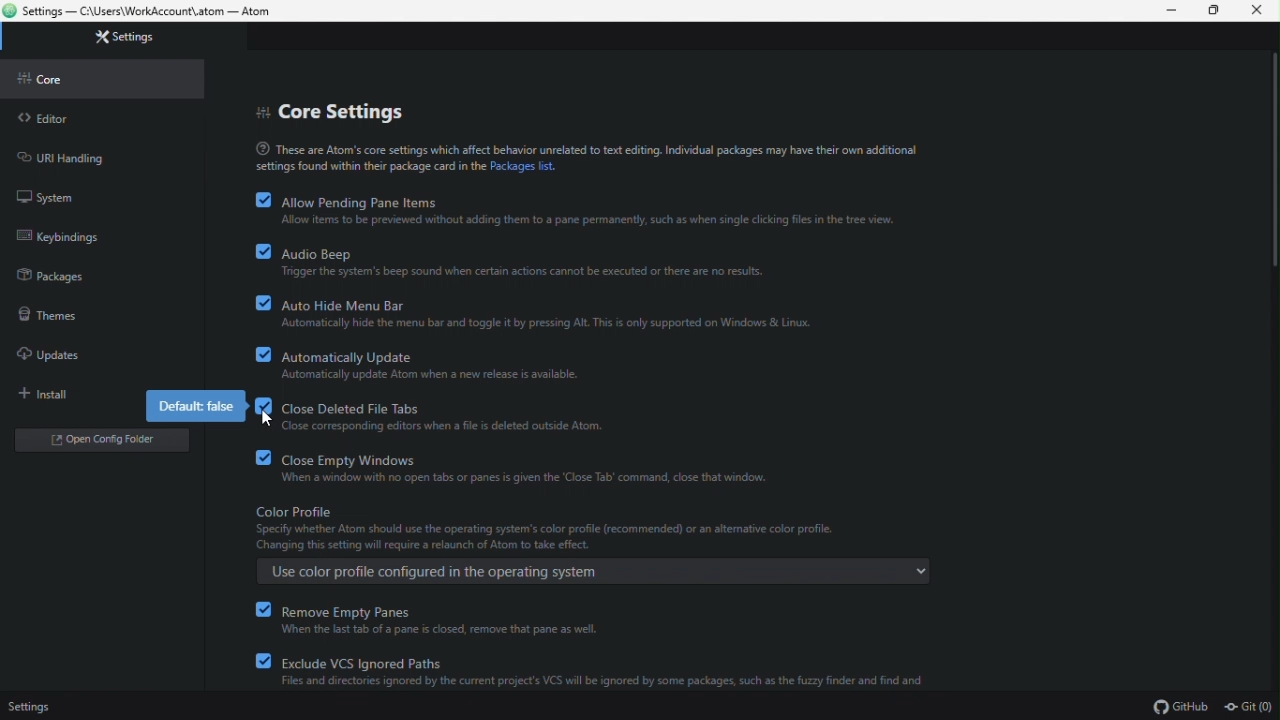 The width and height of the screenshot is (1280, 720). What do you see at coordinates (265, 608) in the screenshot?
I see `checkbox` at bounding box center [265, 608].